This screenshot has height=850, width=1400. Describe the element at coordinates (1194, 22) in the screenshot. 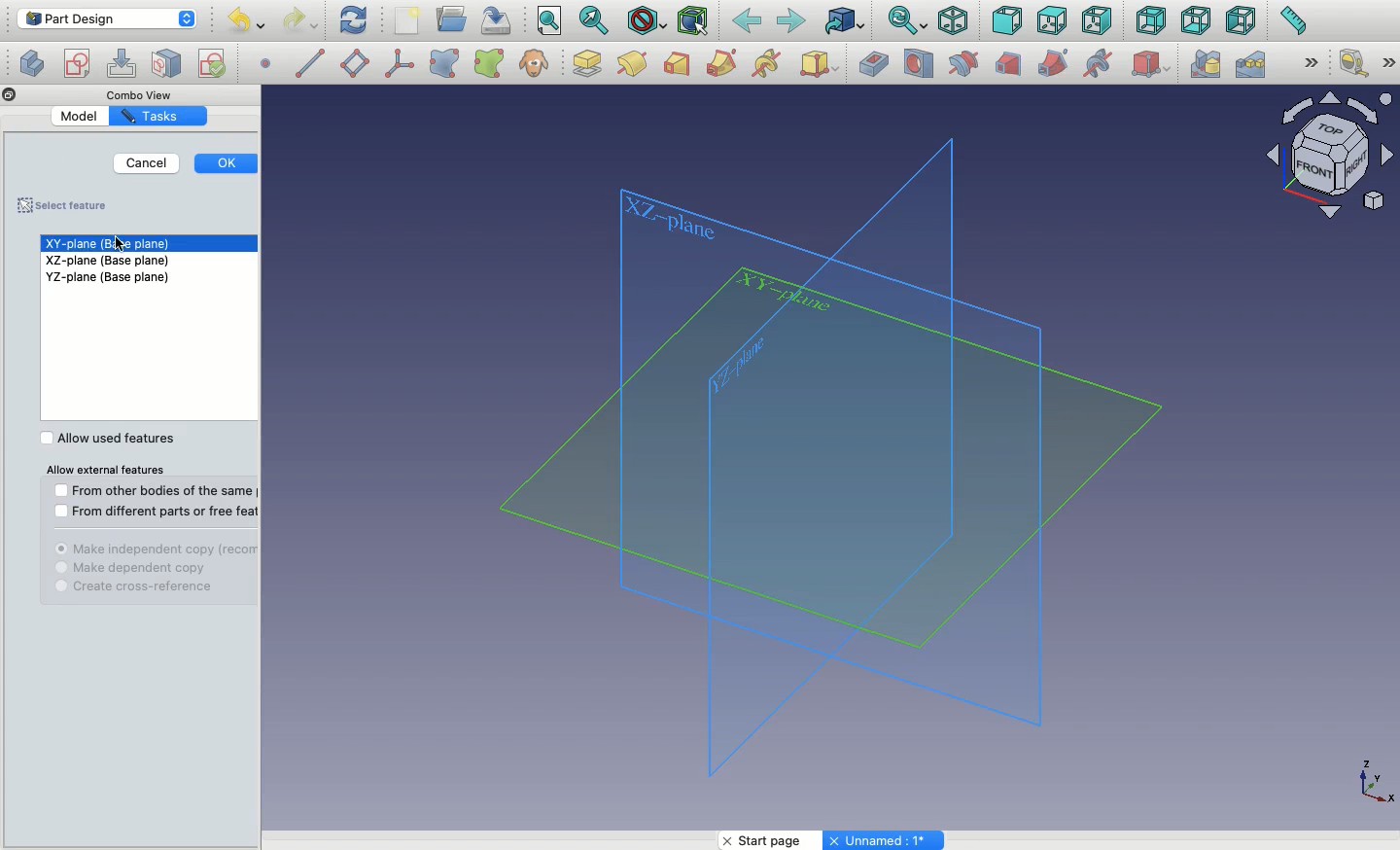

I see `Bottom` at that location.